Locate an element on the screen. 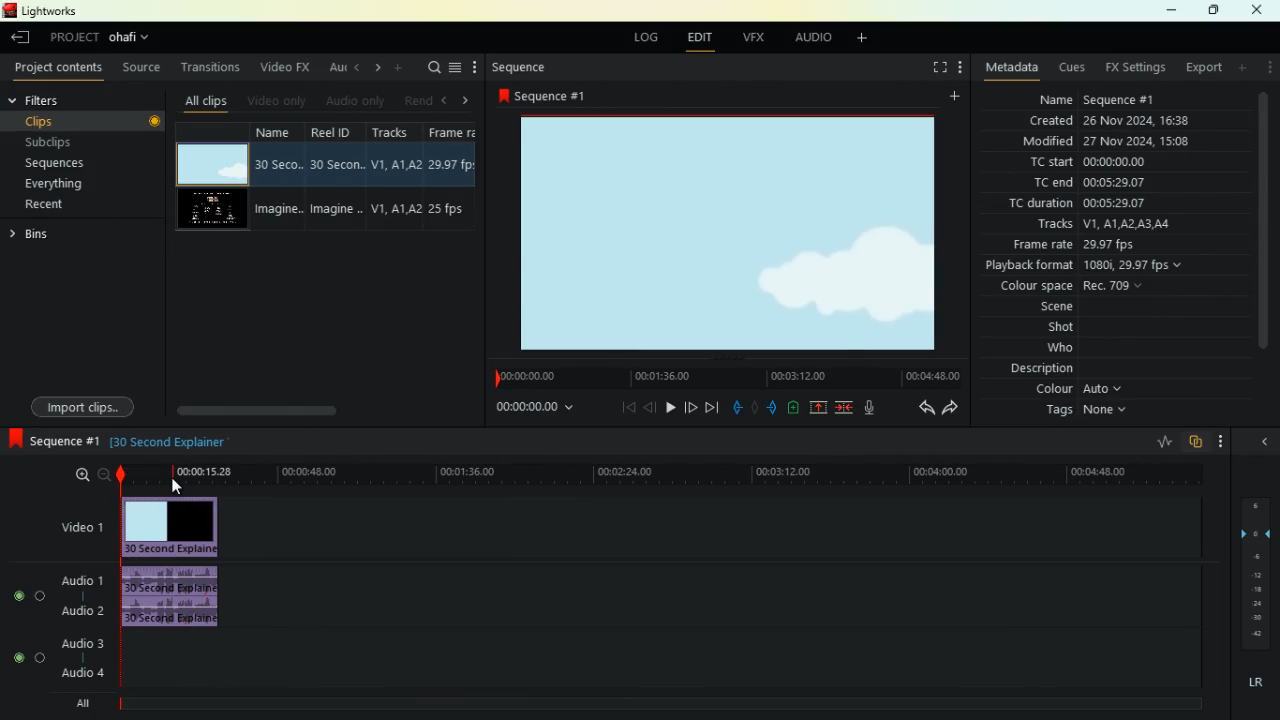 The height and width of the screenshot is (720, 1280). video is located at coordinates (213, 162).